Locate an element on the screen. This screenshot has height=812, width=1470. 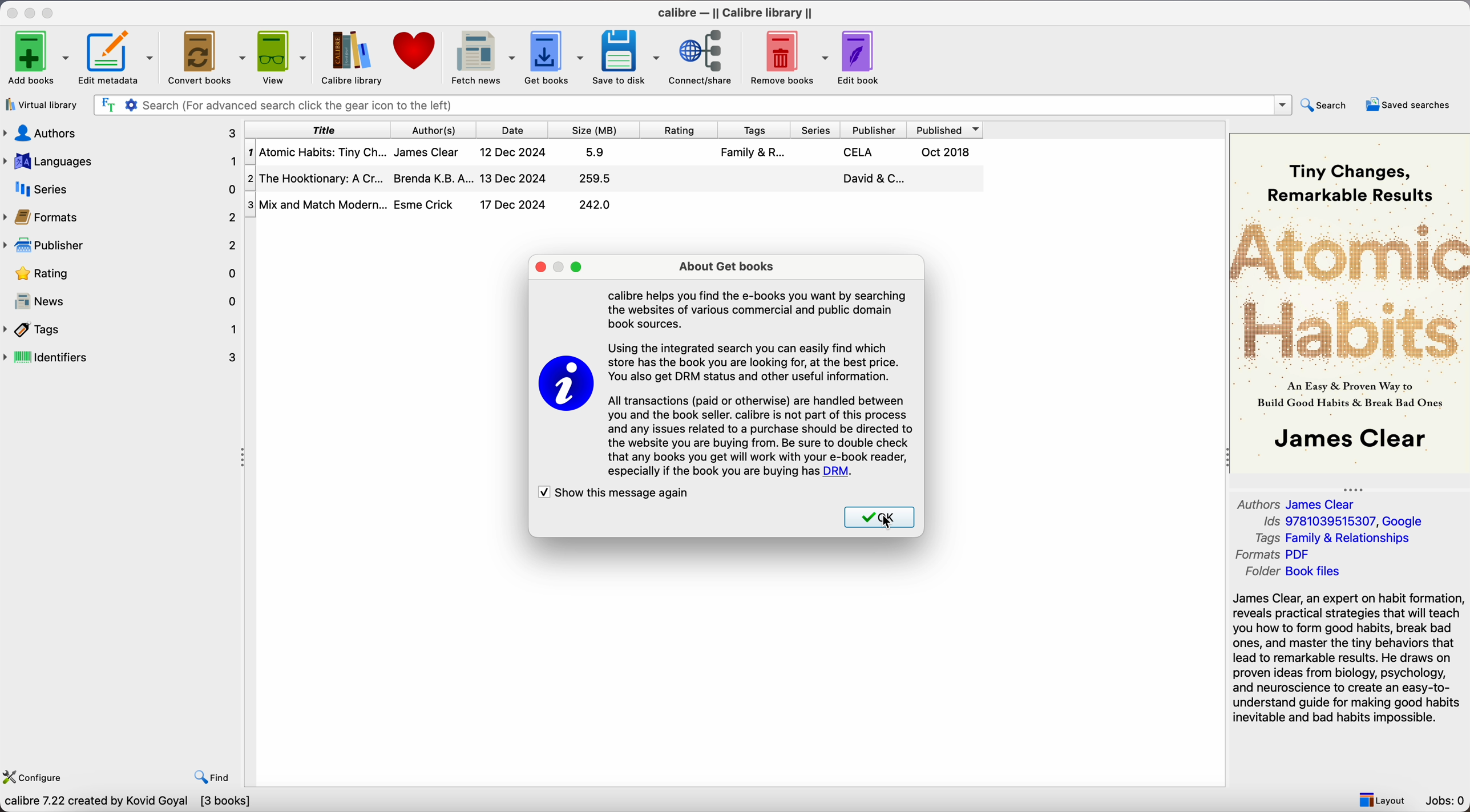
edit book is located at coordinates (860, 56).